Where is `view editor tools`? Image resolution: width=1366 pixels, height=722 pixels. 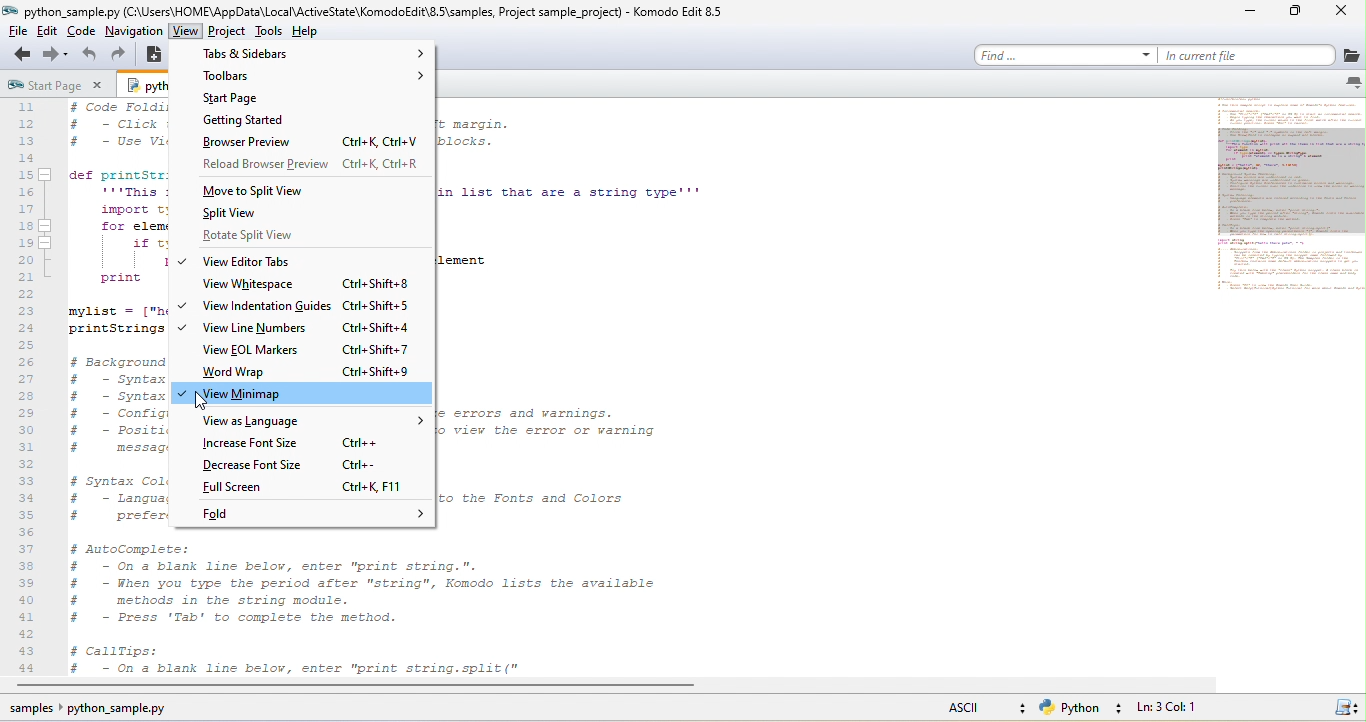
view editor tools is located at coordinates (251, 260).